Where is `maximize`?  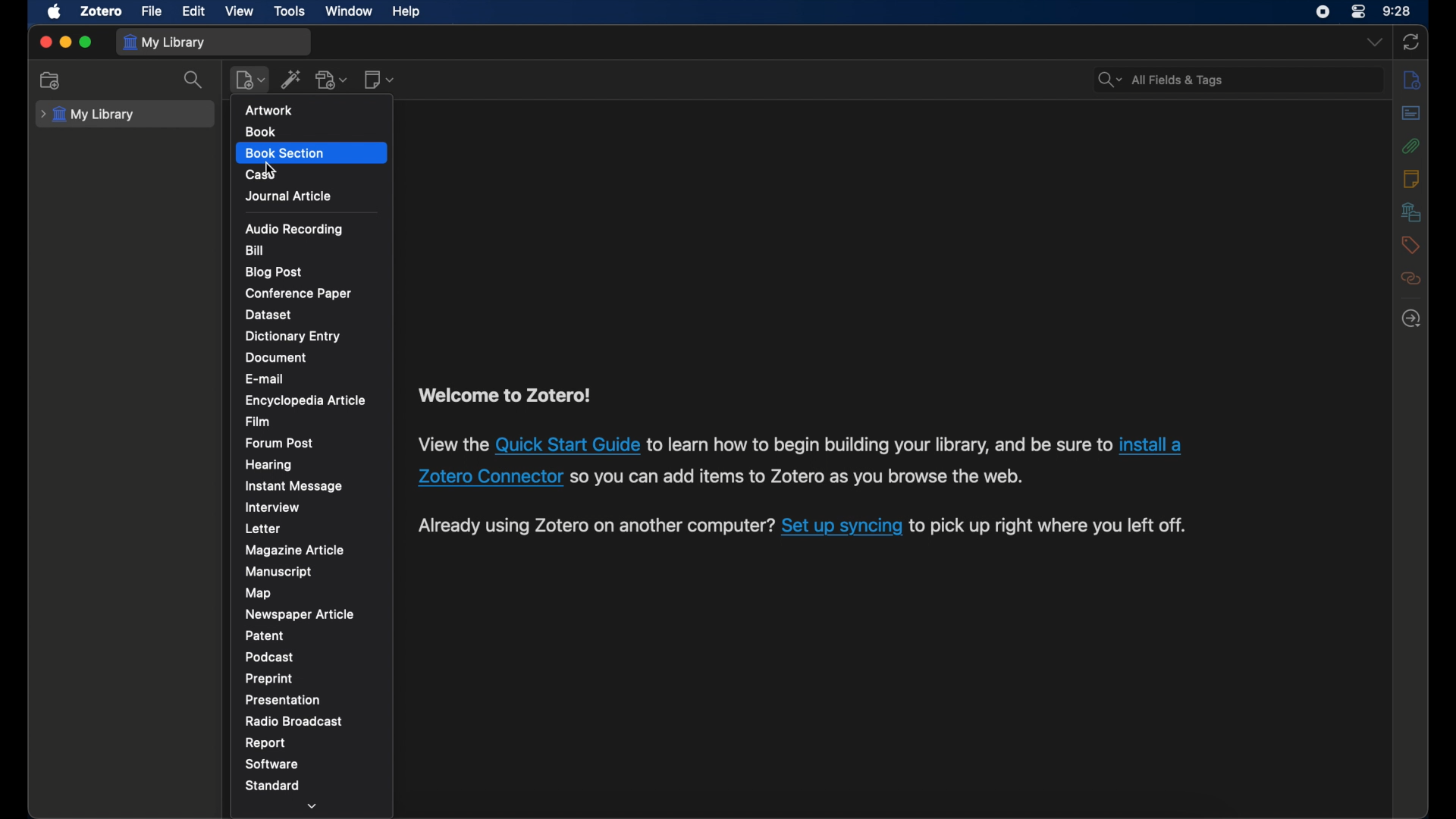 maximize is located at coordinates (86, 42).